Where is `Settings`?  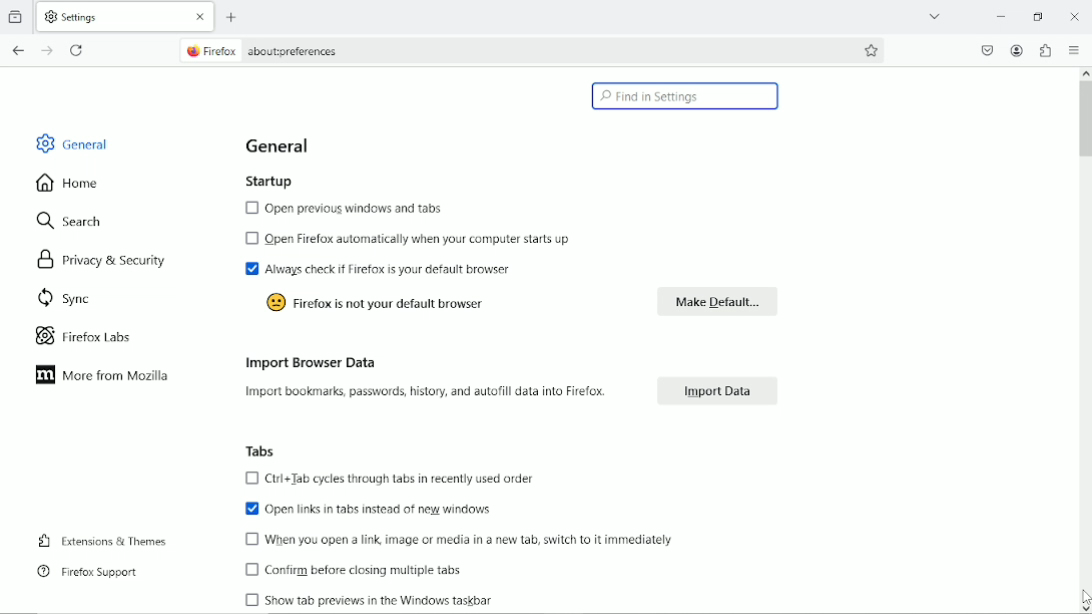 Settings is located at coordinates (76, 17).